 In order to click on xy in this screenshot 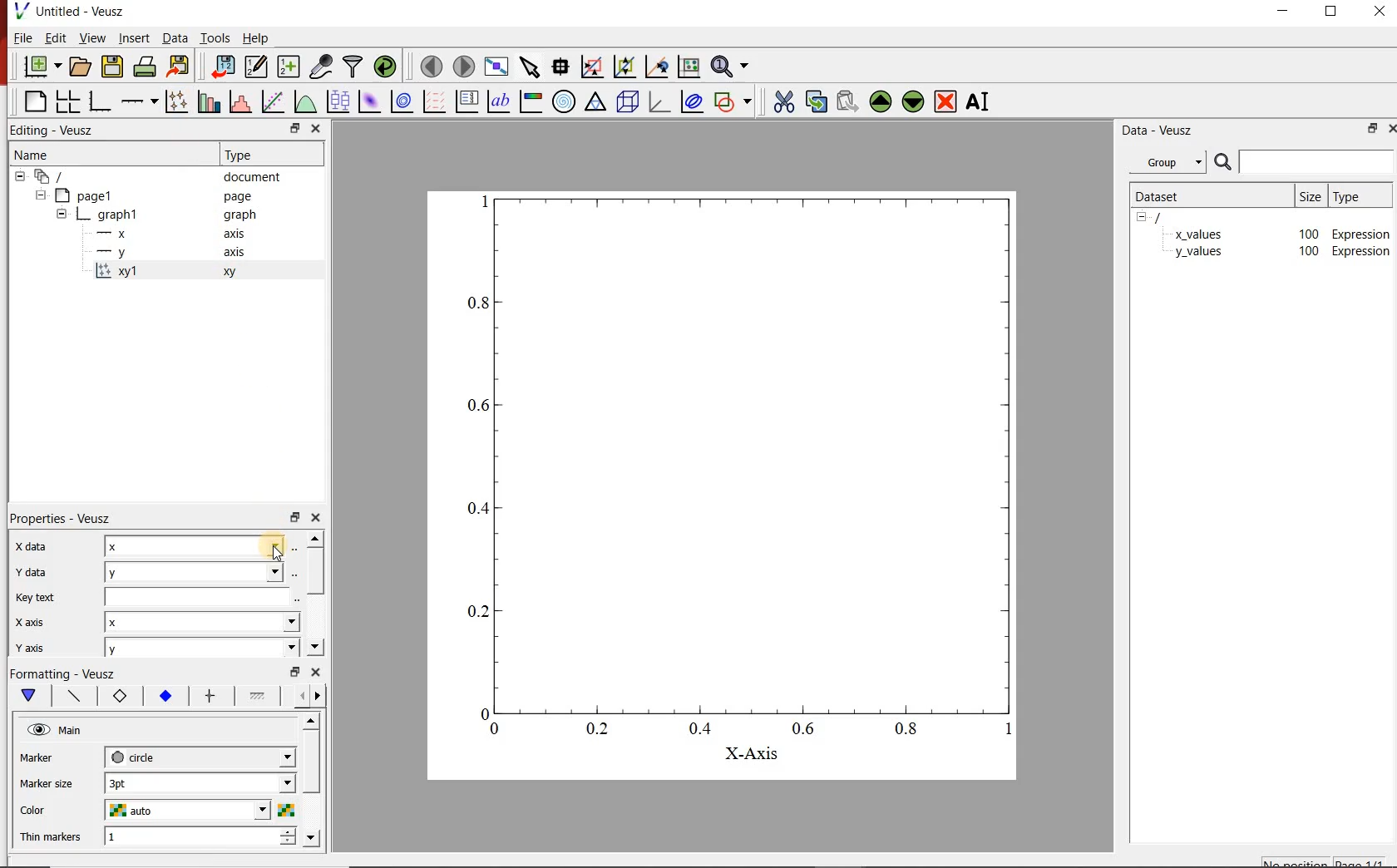, I will do `click(234, 272)`.